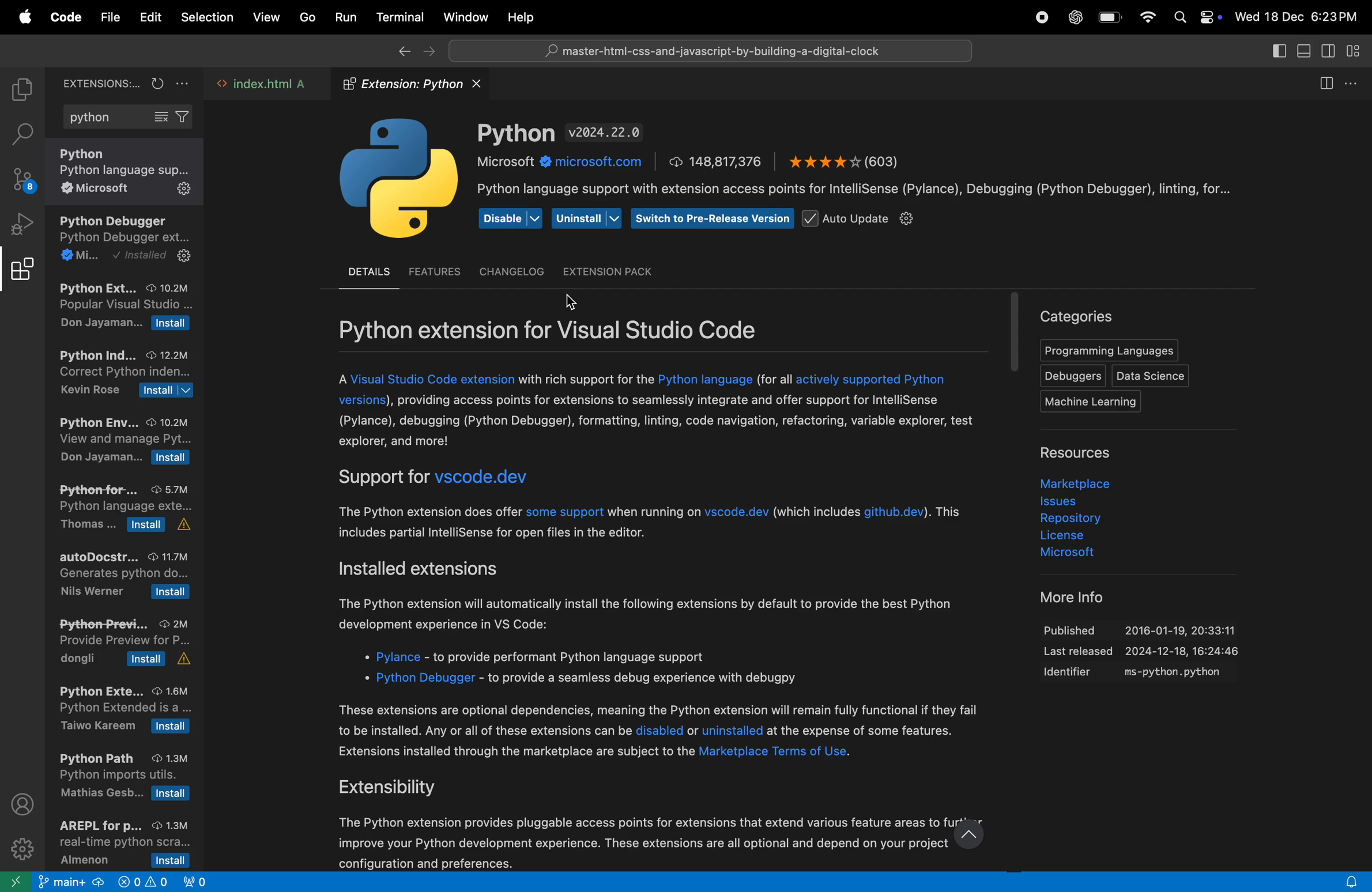 This screenshot has height=892, width=1372. What do you see at coordinates (21, 90) in the screenshot?
I see `explore` at bounding box center [21, 90].